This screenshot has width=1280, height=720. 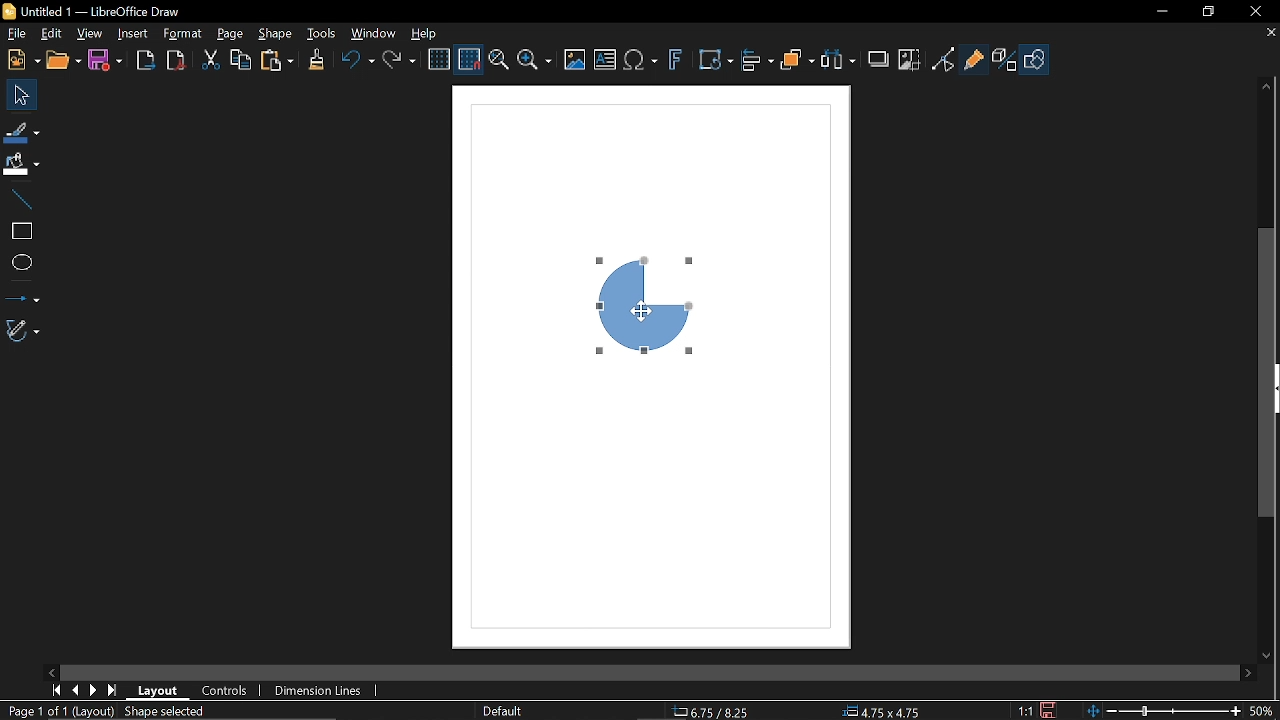 I want to click on Move down, so click(x=1268, y=654).